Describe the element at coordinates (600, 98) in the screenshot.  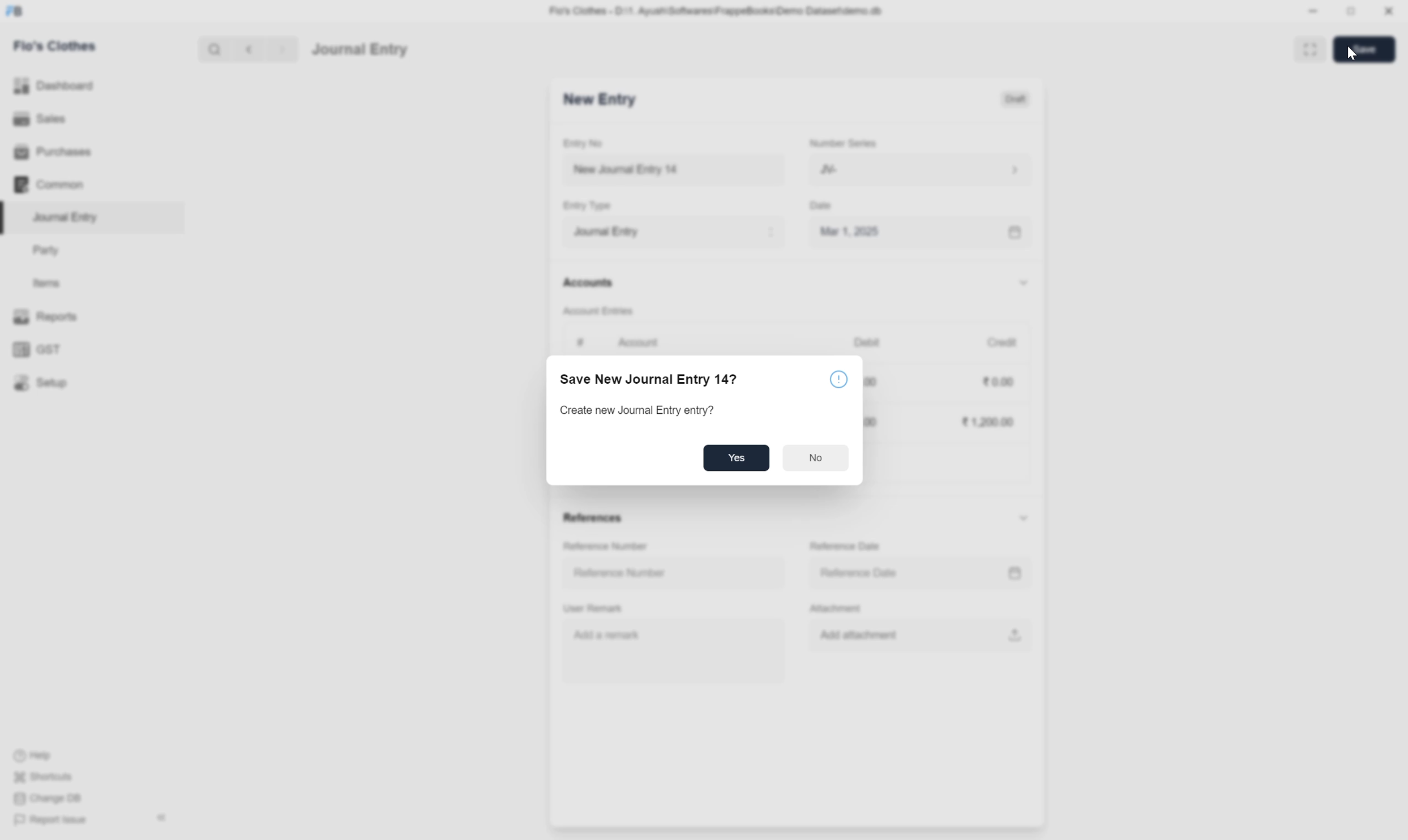
I see `New Entry` at that location.